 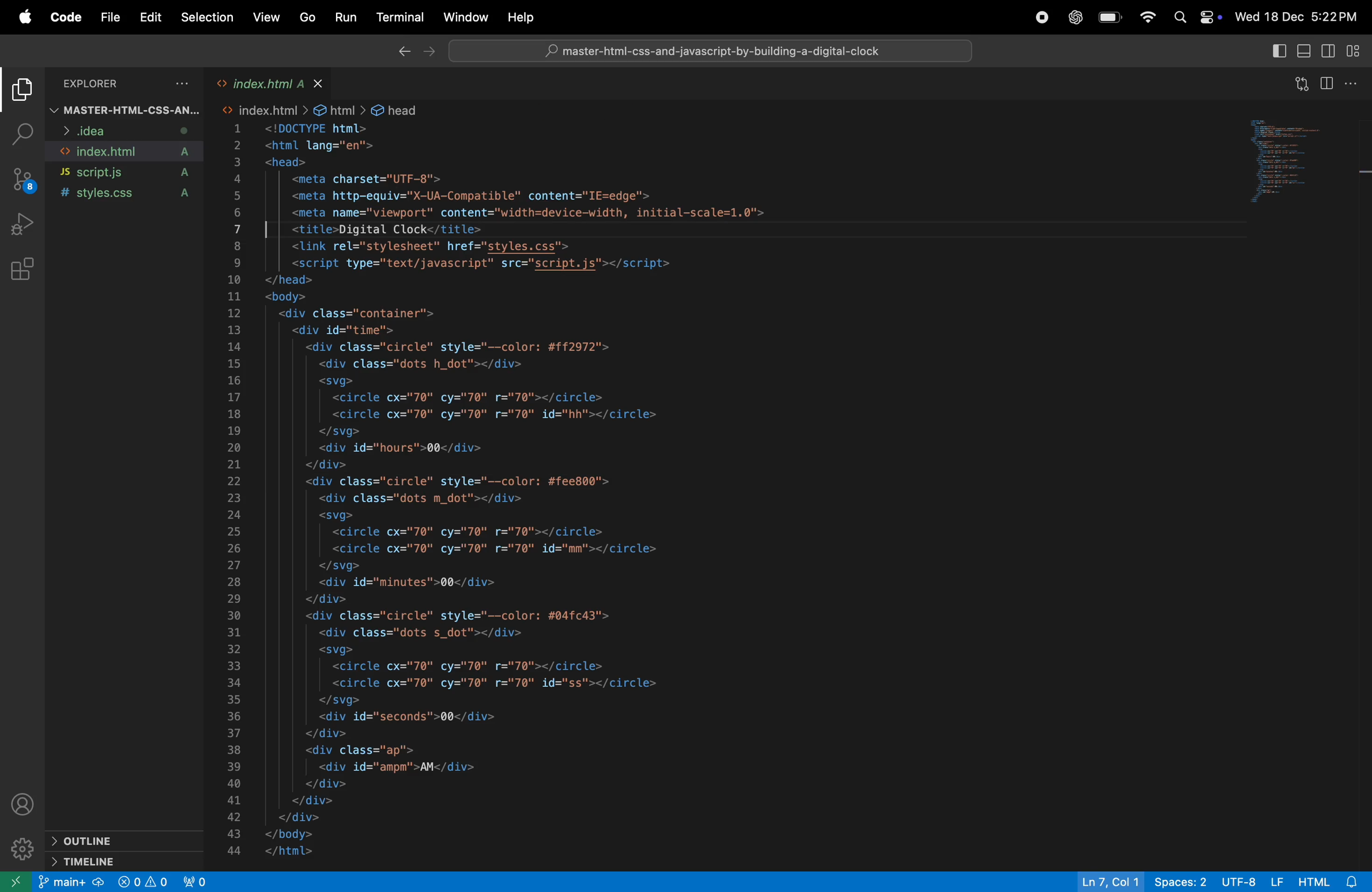 What do you see at coordinates (1197, 17) in the screenshot?
I see `apple widgets` at bounding box center [1197, 17].